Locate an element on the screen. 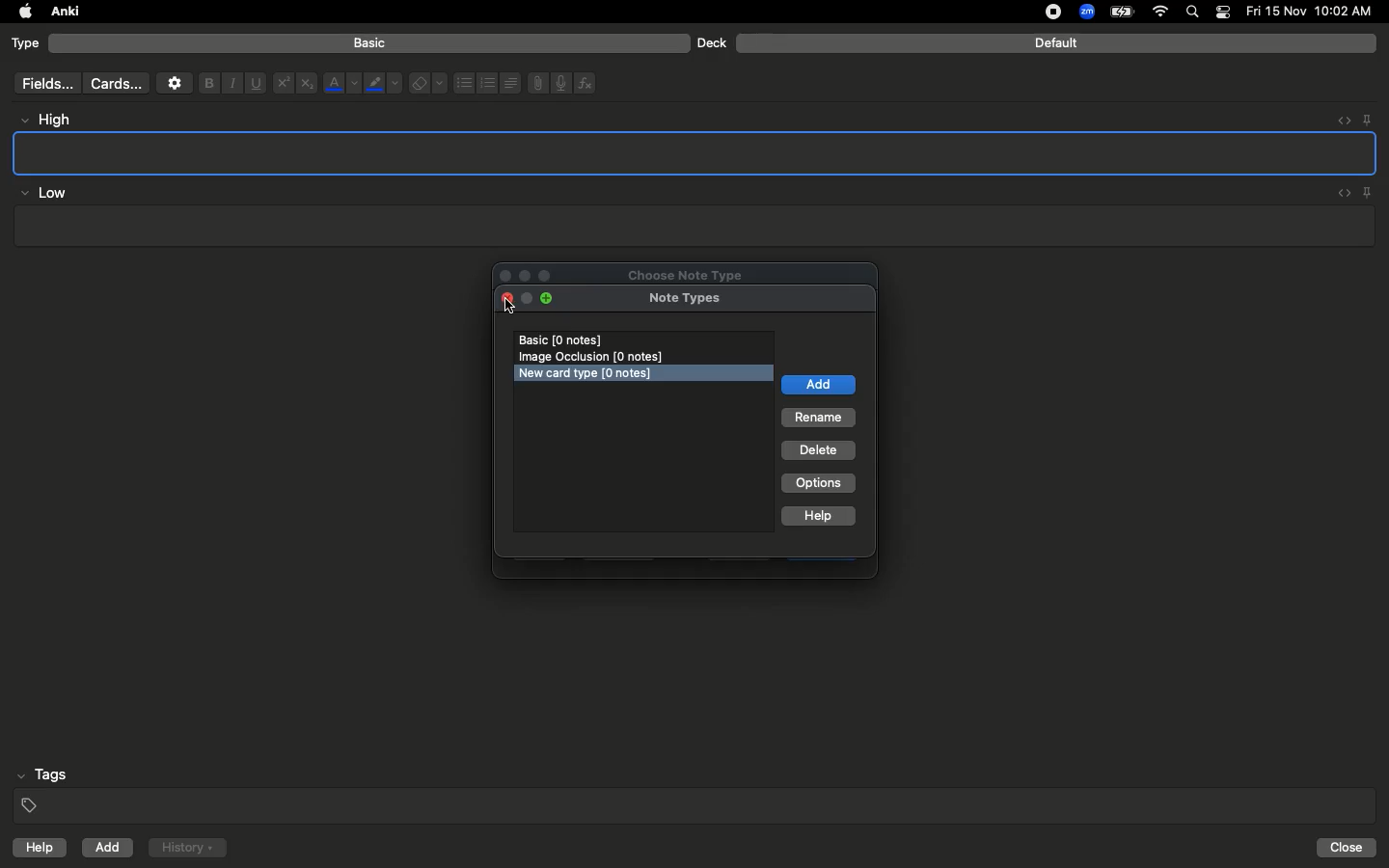  Font color is located at coordinates (340, 83).